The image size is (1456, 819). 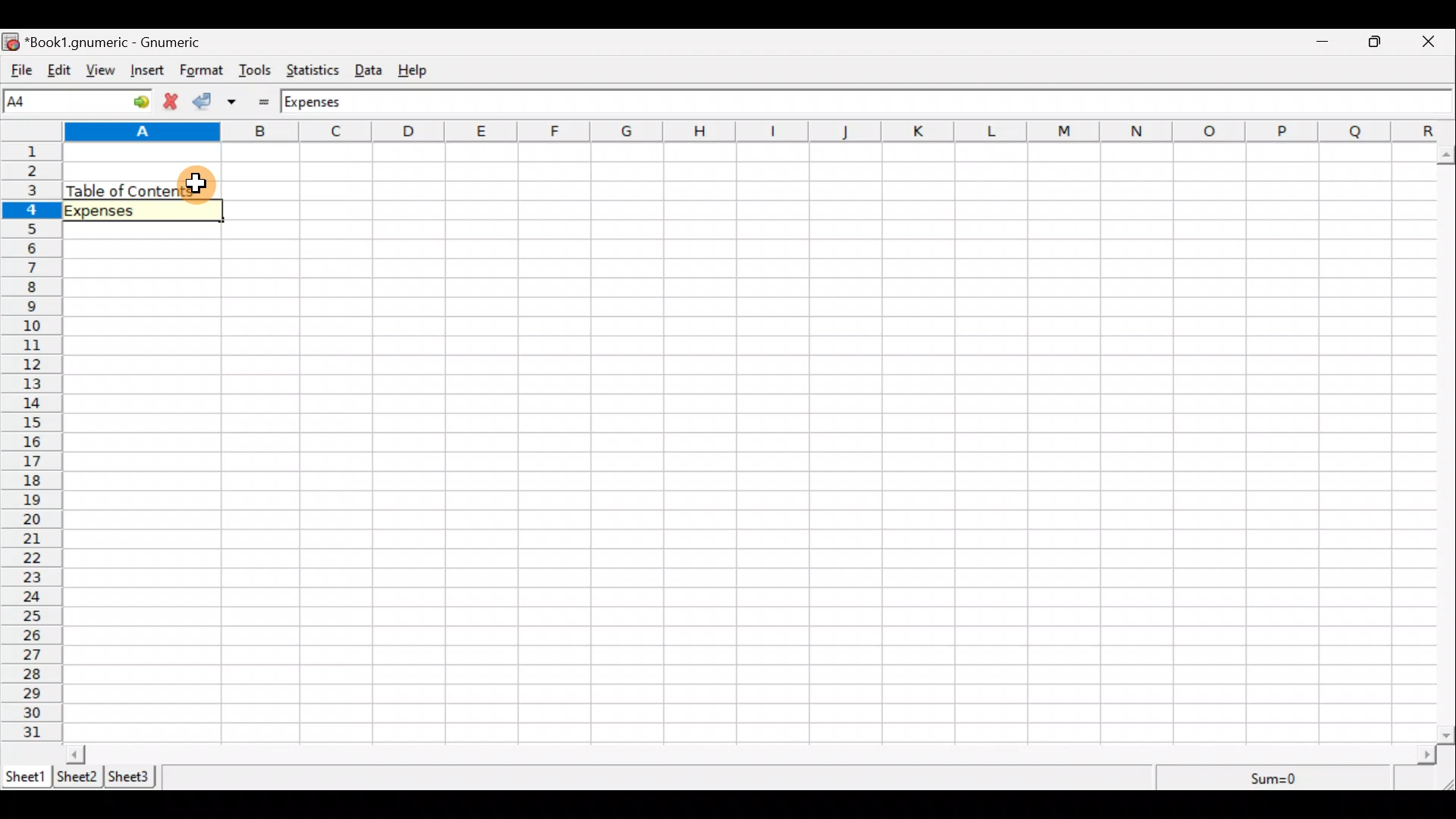 What do you see at coordinates (1379, 42) in the screenshot?
I see `Maximize/Minimize` at bounding box center [1379, 42].